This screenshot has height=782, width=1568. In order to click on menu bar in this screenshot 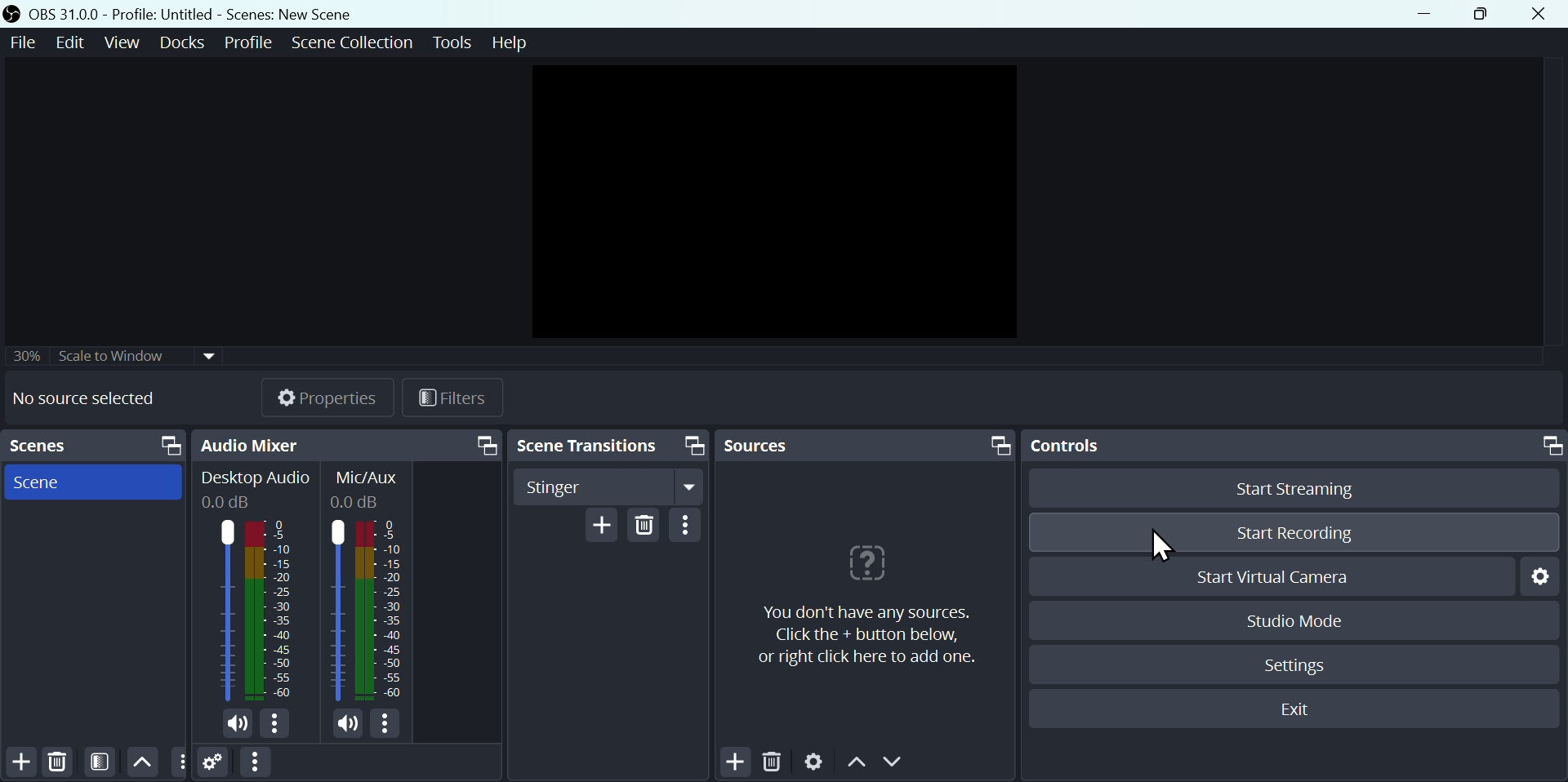, I will do `click(254, 763)`.